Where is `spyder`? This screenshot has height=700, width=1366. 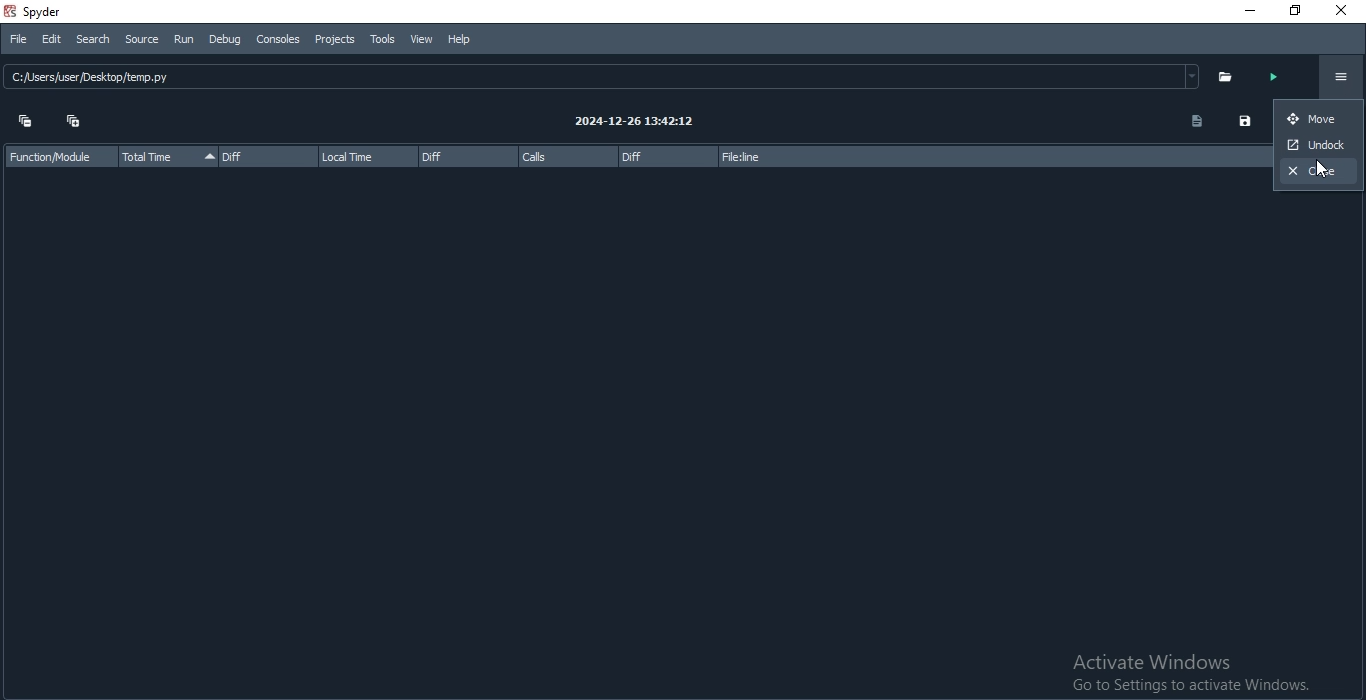
spyder is located at coordinates (53, 12).